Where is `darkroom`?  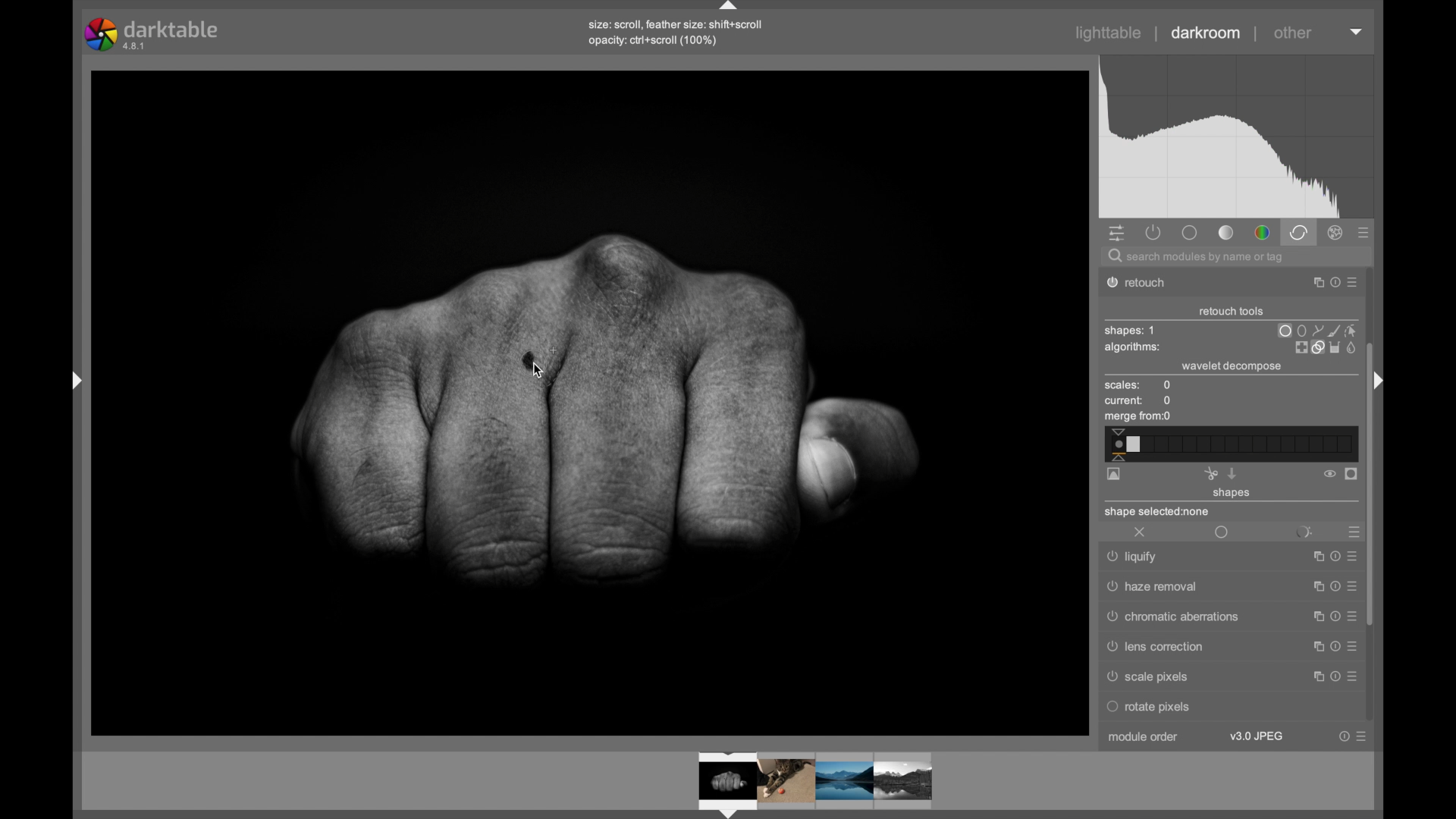 darkroom is located at coordinates (1207, 33).